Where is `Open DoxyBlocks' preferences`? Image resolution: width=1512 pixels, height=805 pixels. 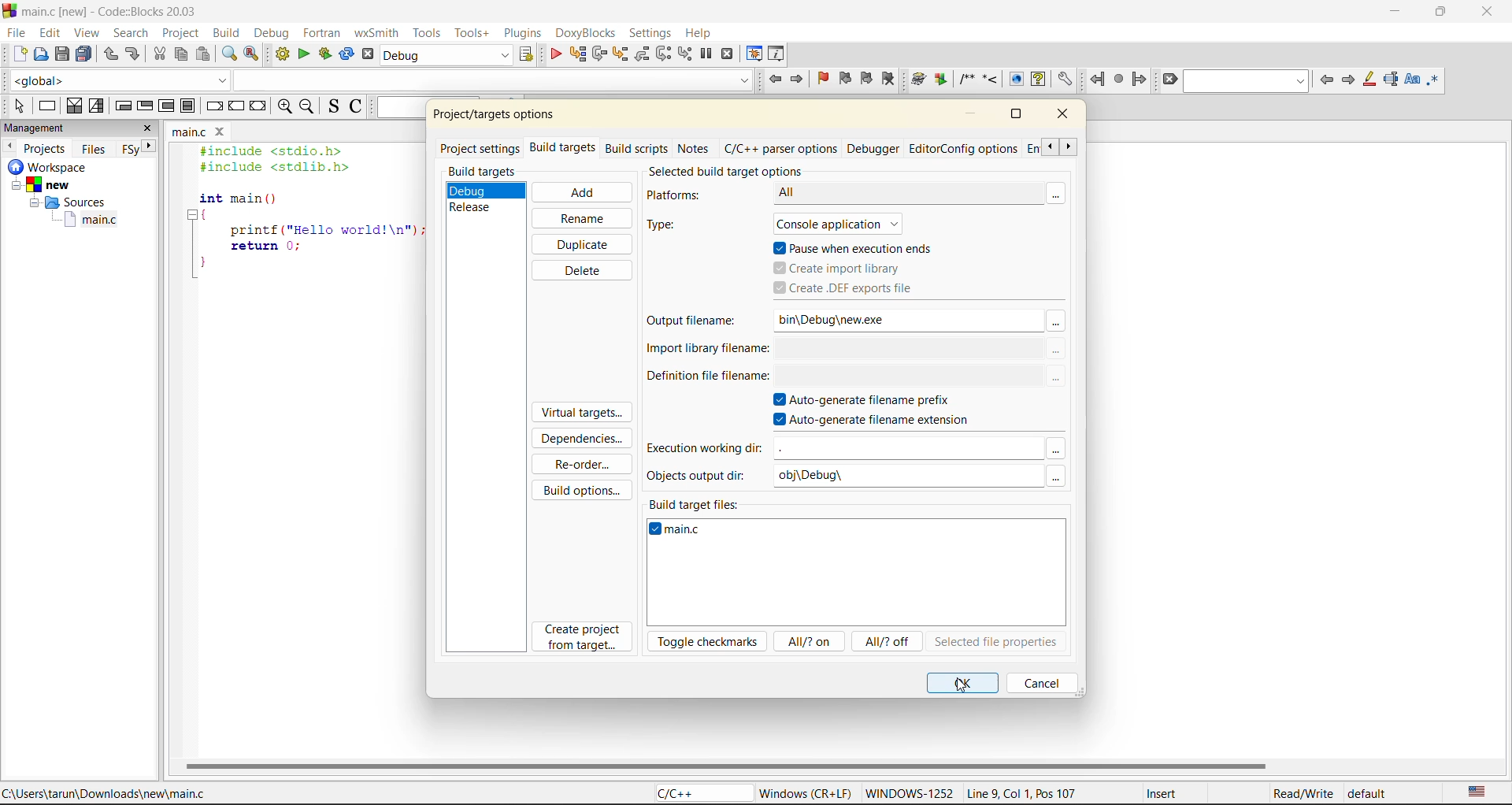 Open DoxyBlocks' preferences is located at coordinates (1063, 80).